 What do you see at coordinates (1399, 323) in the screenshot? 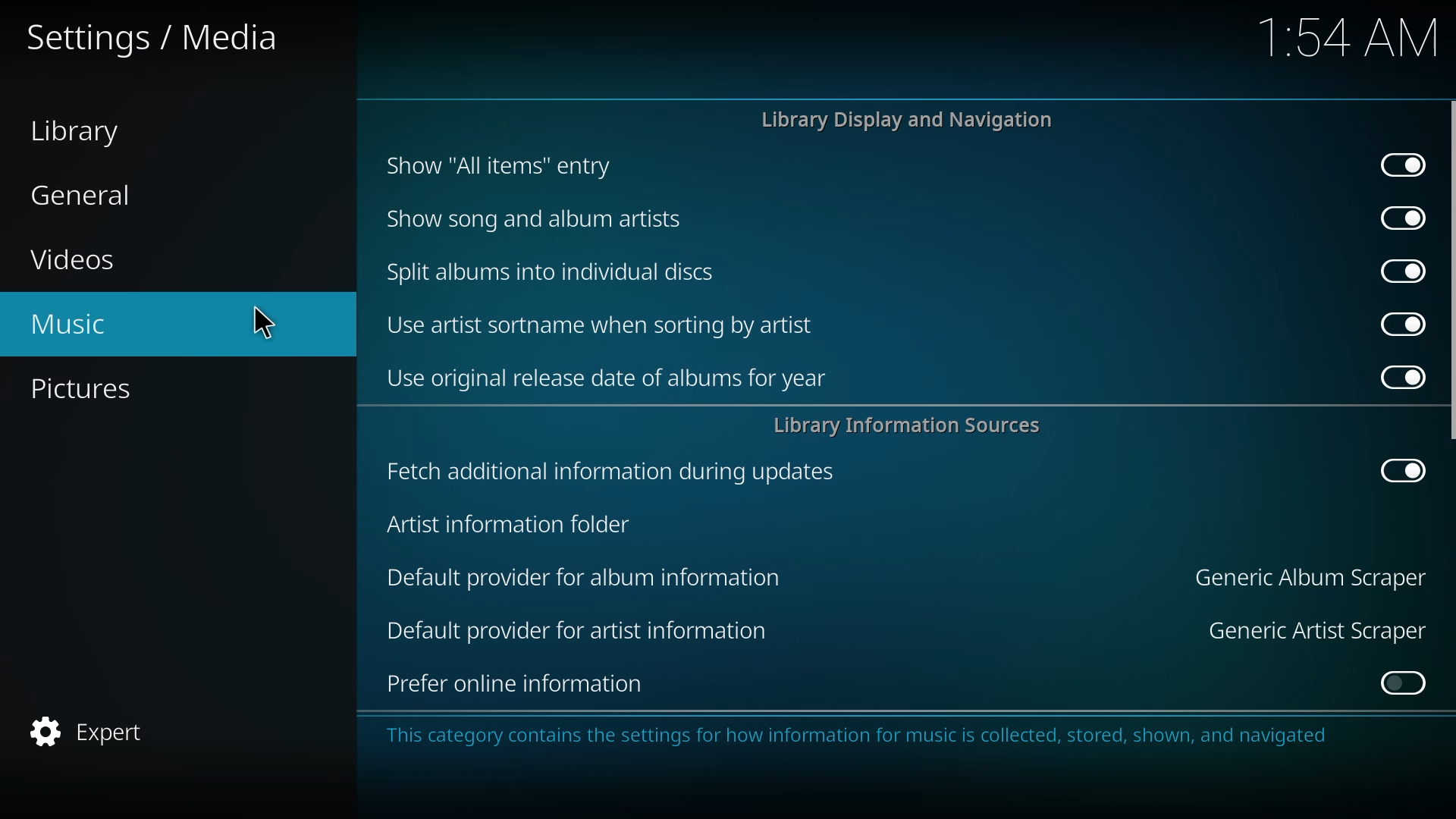
I see `enabled` at bounding box center [1399, 323].